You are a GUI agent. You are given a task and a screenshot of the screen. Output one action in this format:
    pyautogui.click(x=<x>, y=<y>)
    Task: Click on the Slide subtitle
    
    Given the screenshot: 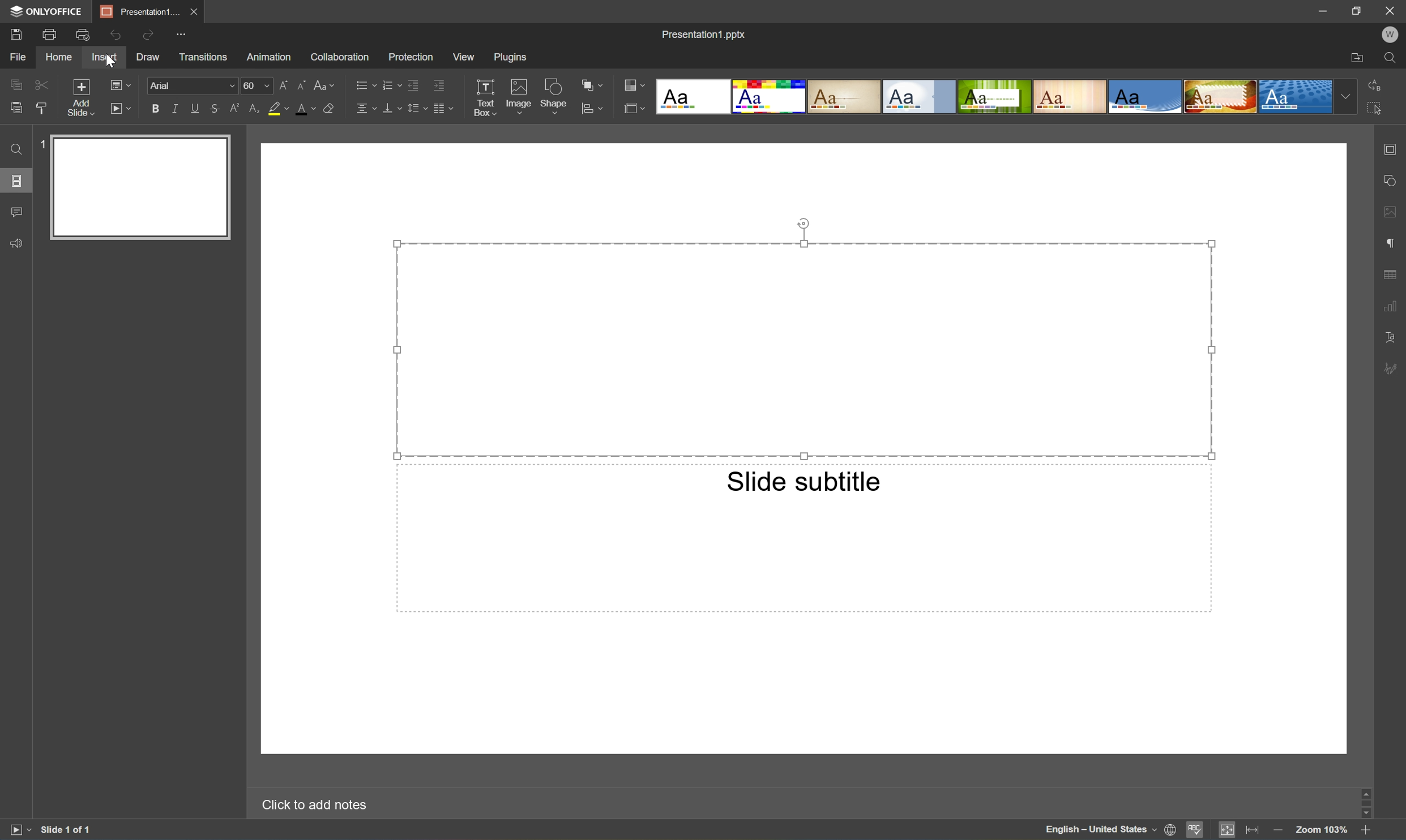 What is the action you would take?
    pyautogui.click(x=804, y=481)
    